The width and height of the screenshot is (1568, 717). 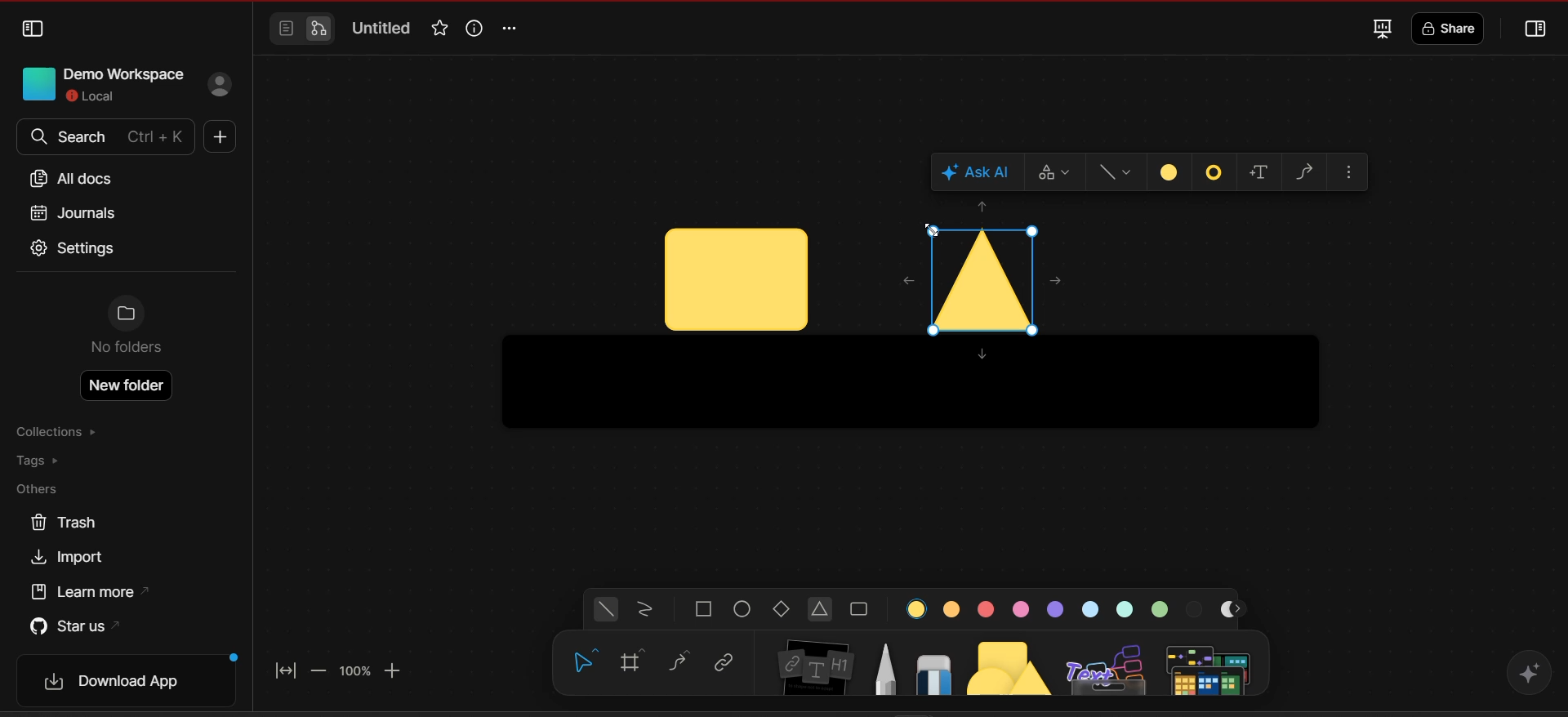 I want to click on color 1, so click(x=918, y=608).